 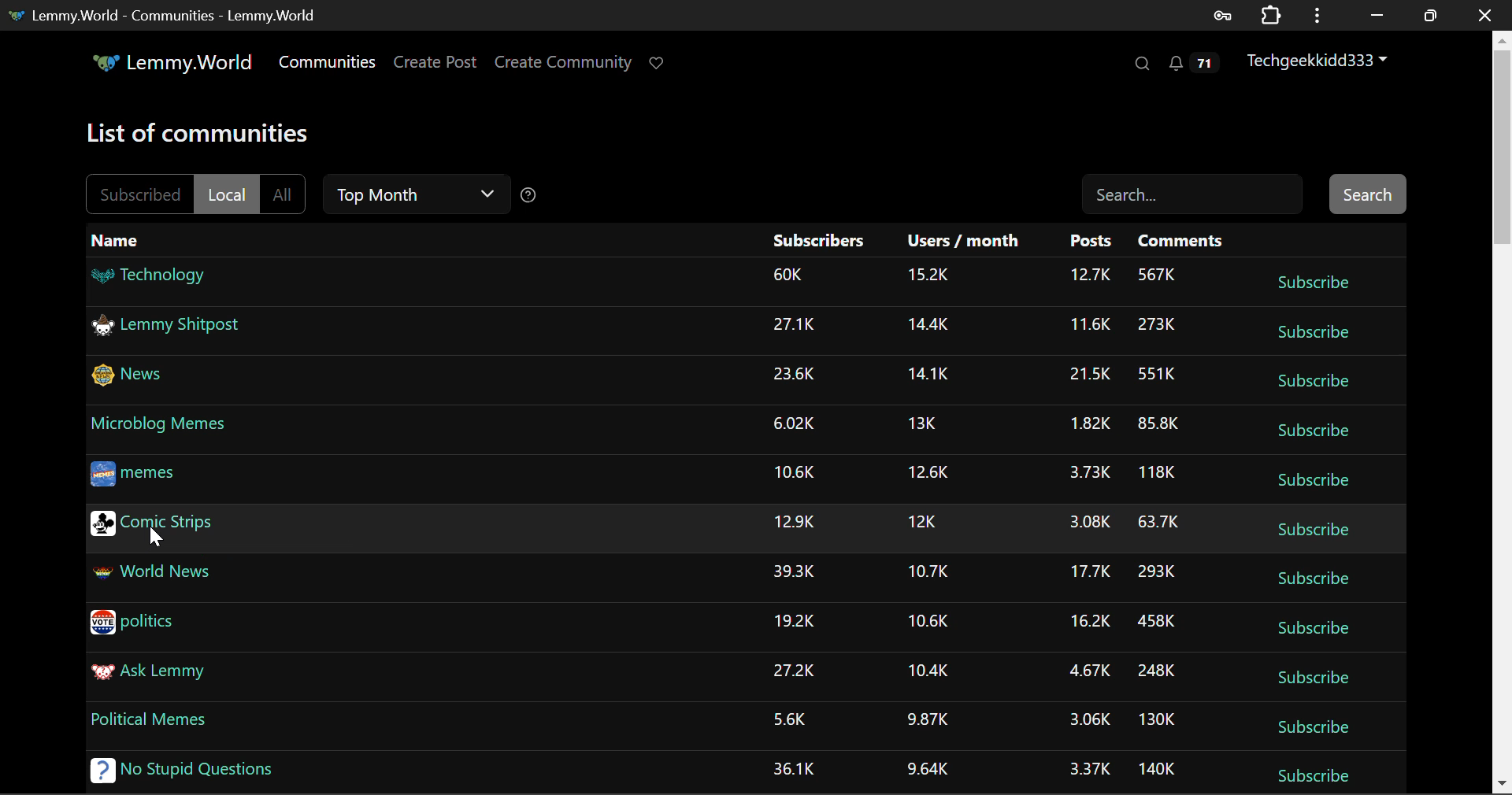 What do you see at coordinates (1314, 482) in the screenshot?
I see `Subscribe` at bounding box center [1314, 482].